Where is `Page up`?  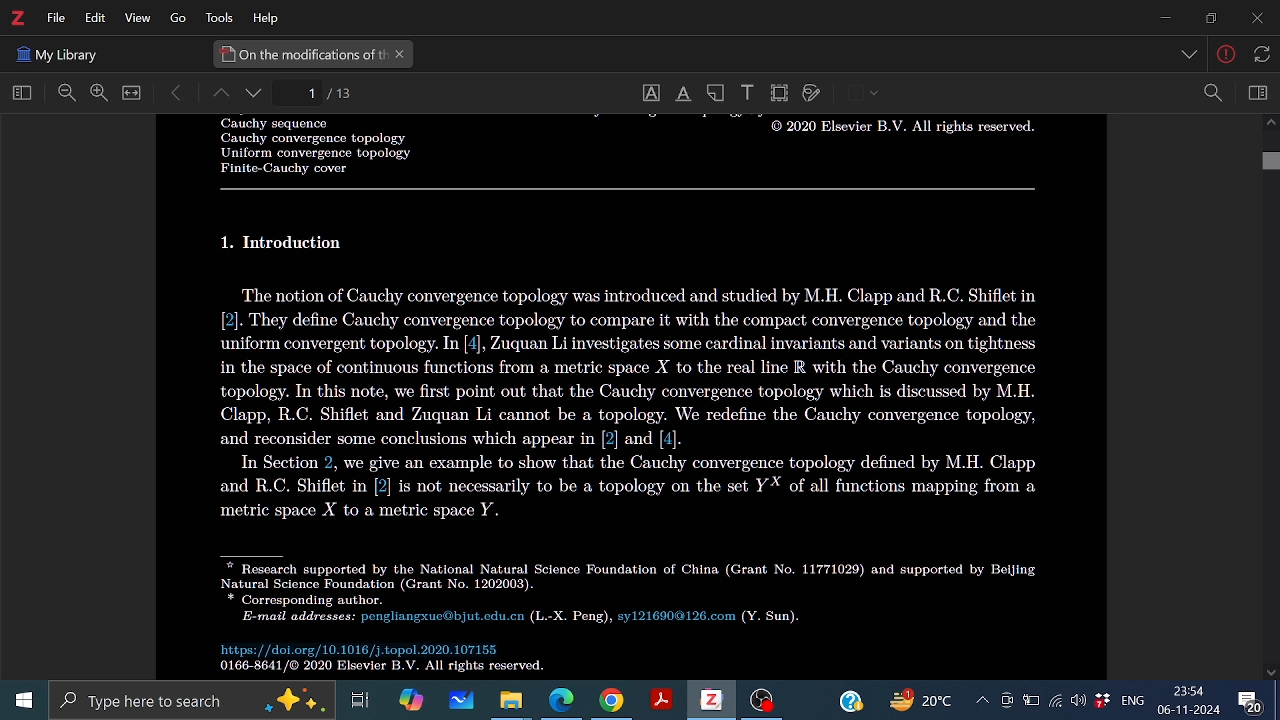
Page up is located at coordinates (219, 95).